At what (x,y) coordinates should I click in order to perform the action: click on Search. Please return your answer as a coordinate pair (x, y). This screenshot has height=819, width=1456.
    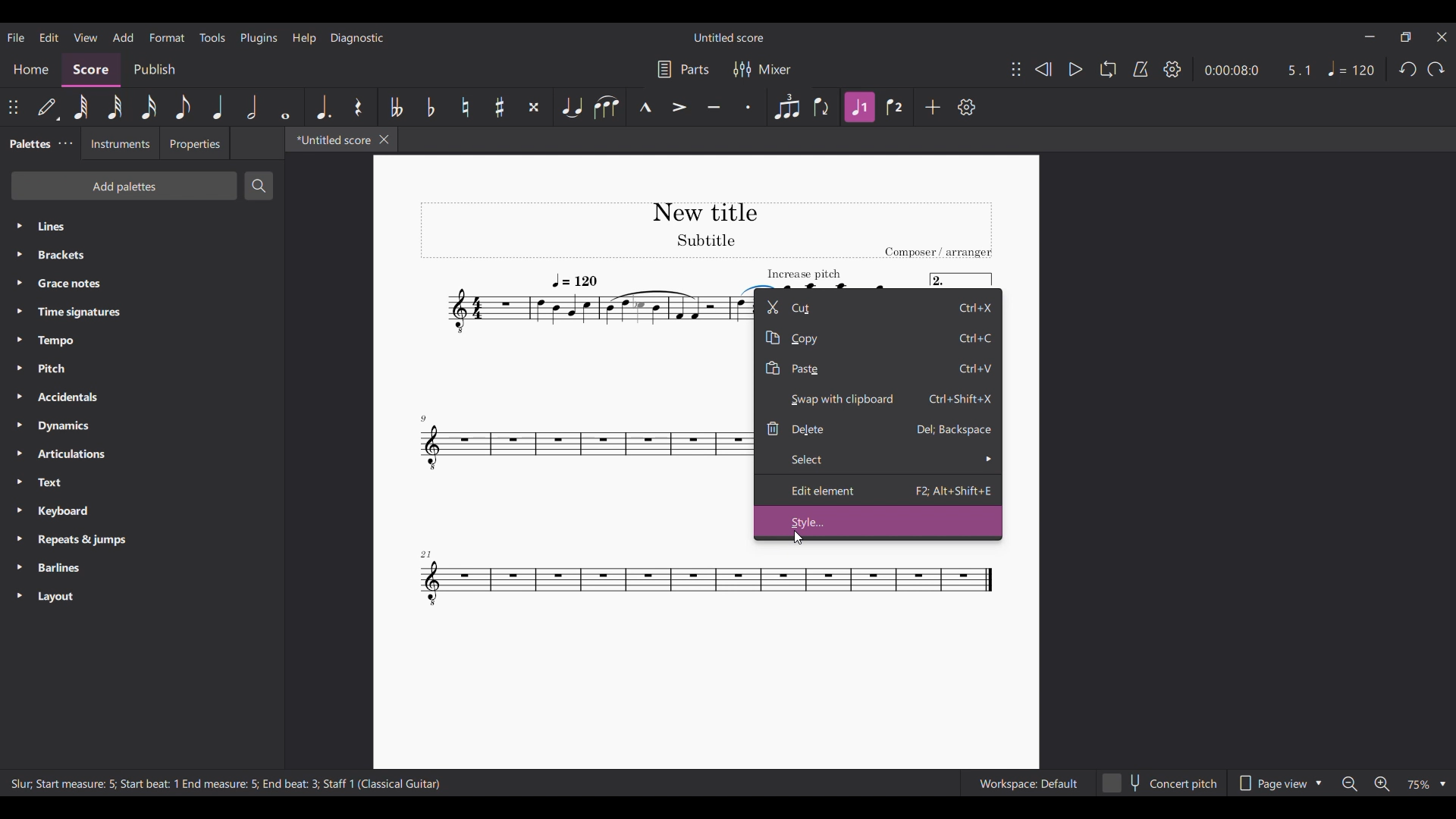
    Looking at the image, I should click on (258, 186).